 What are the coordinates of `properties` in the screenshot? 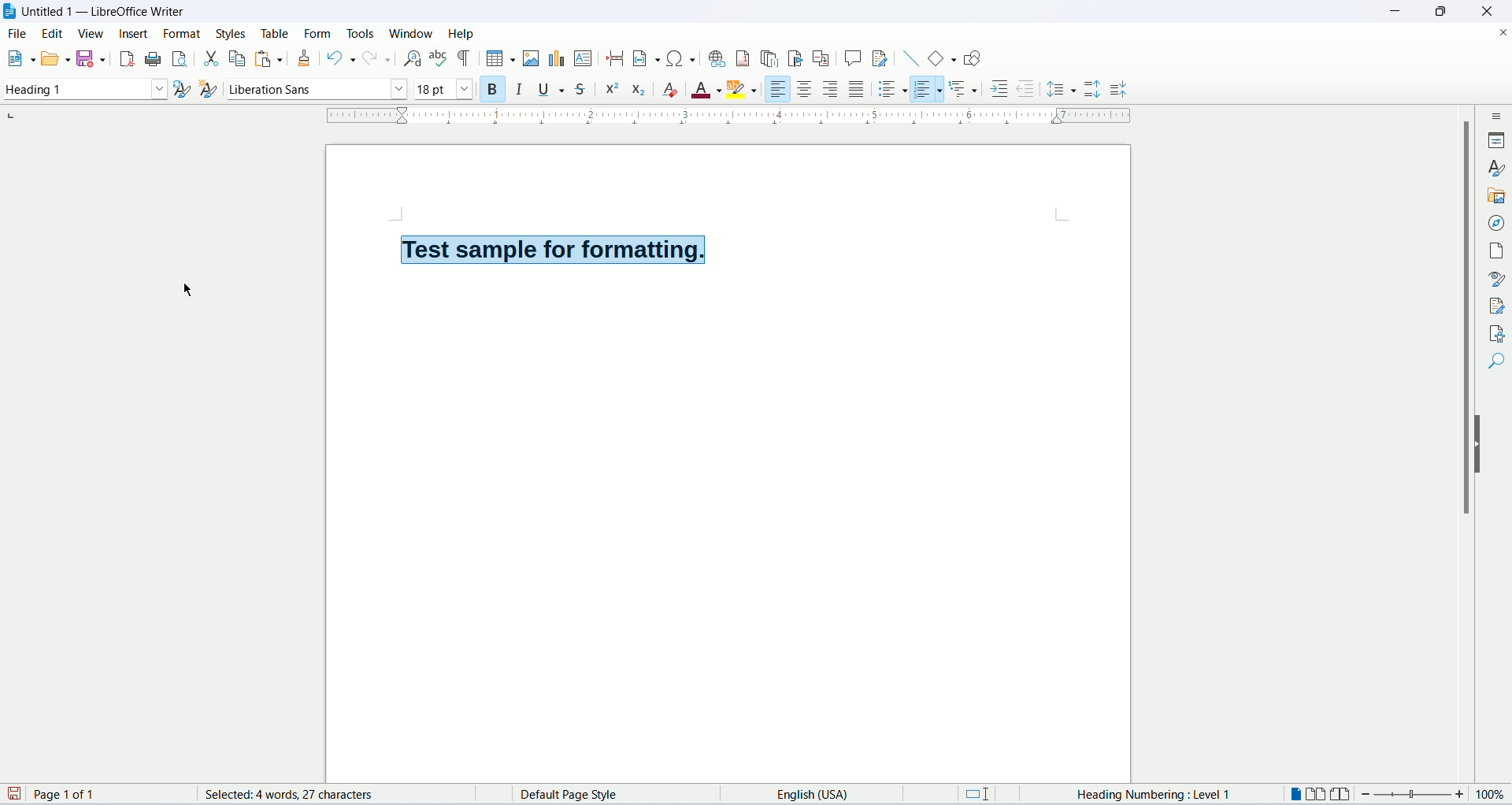 It's located at (1499, 139).